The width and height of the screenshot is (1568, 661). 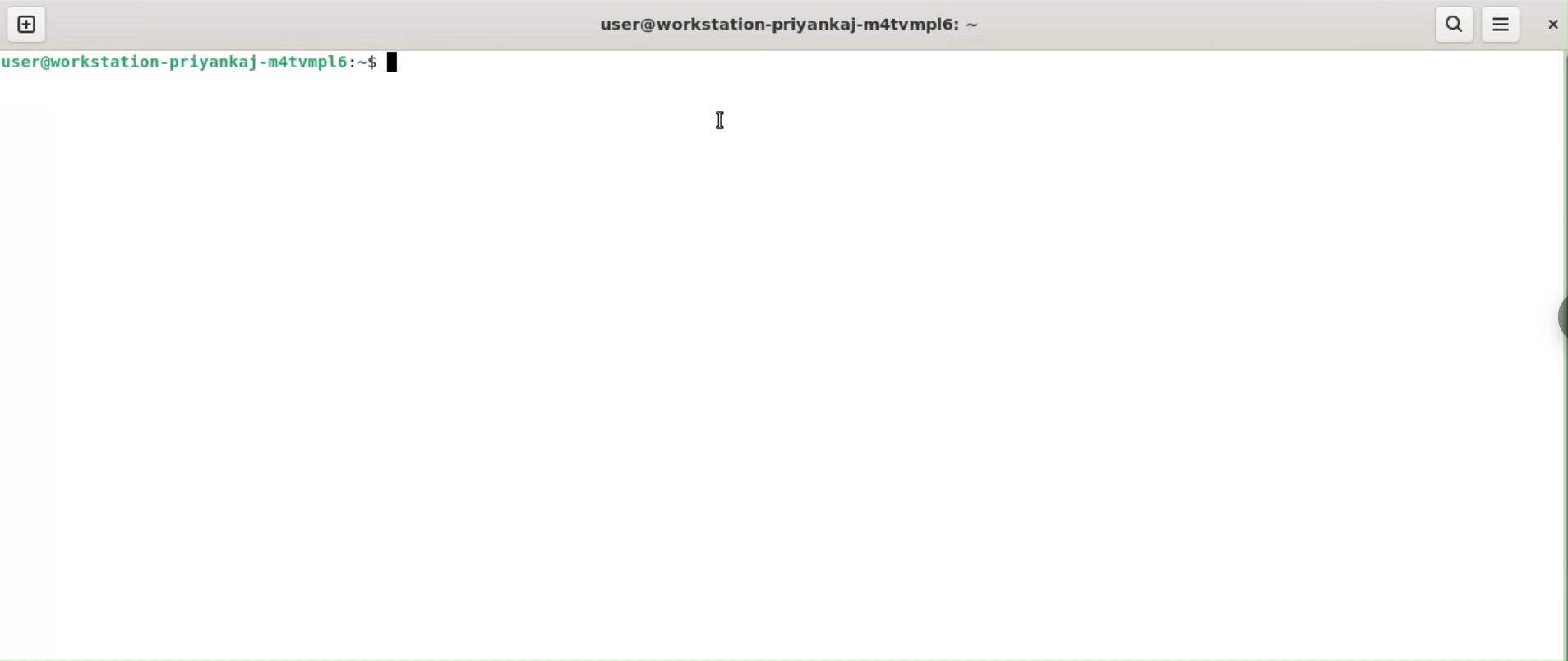 What do you see at coordinates (808, 25) in the screenshot?
I see `user@workstation-priyankaj-m4tvmpl6:6 ~` at bounding box center [808, 25].